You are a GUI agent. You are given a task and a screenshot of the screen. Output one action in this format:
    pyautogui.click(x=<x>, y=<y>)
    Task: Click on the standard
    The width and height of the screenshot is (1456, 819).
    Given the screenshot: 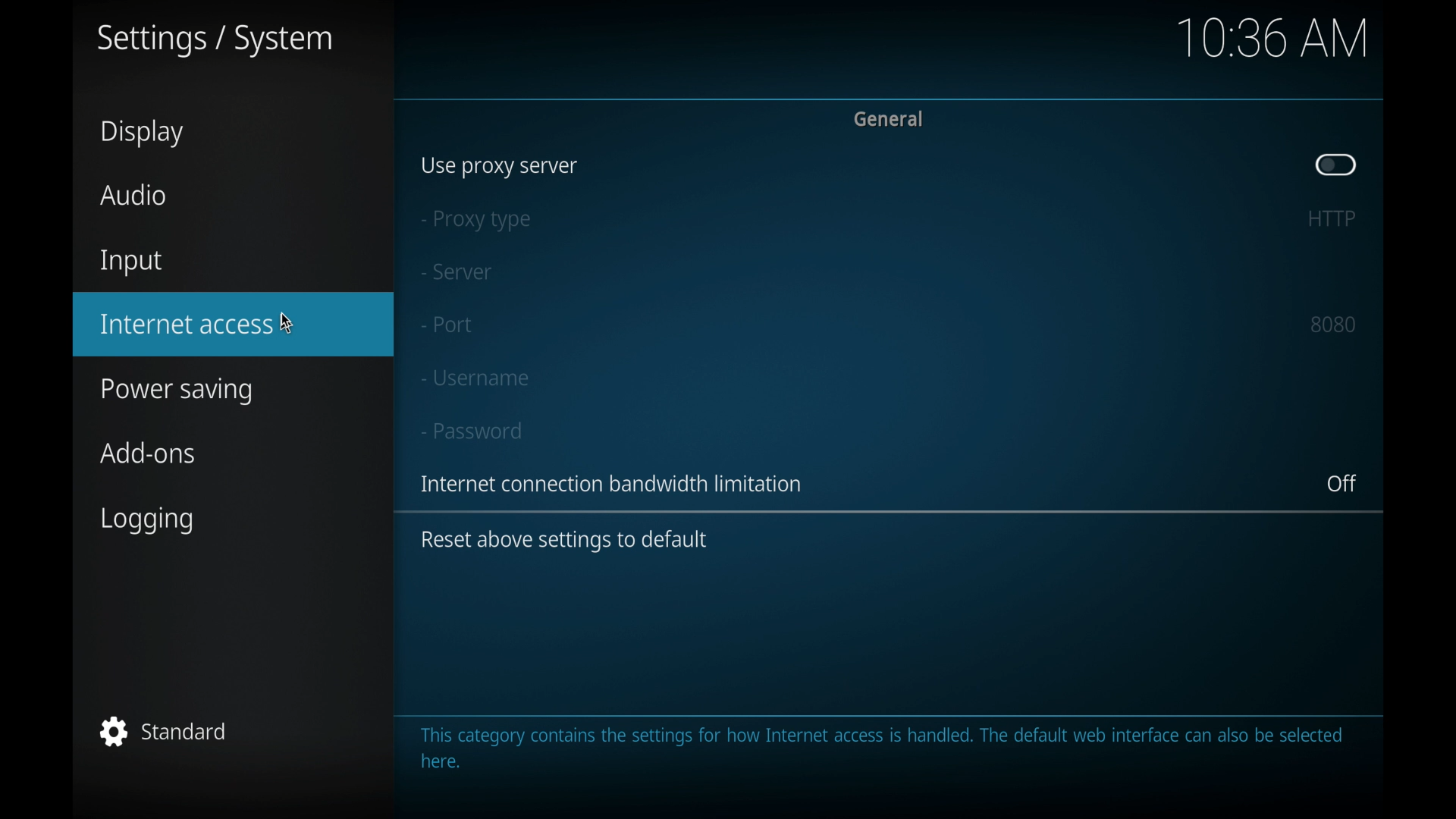 What is the action you would take?
    pyautogui.click(x=165, y=731)
    